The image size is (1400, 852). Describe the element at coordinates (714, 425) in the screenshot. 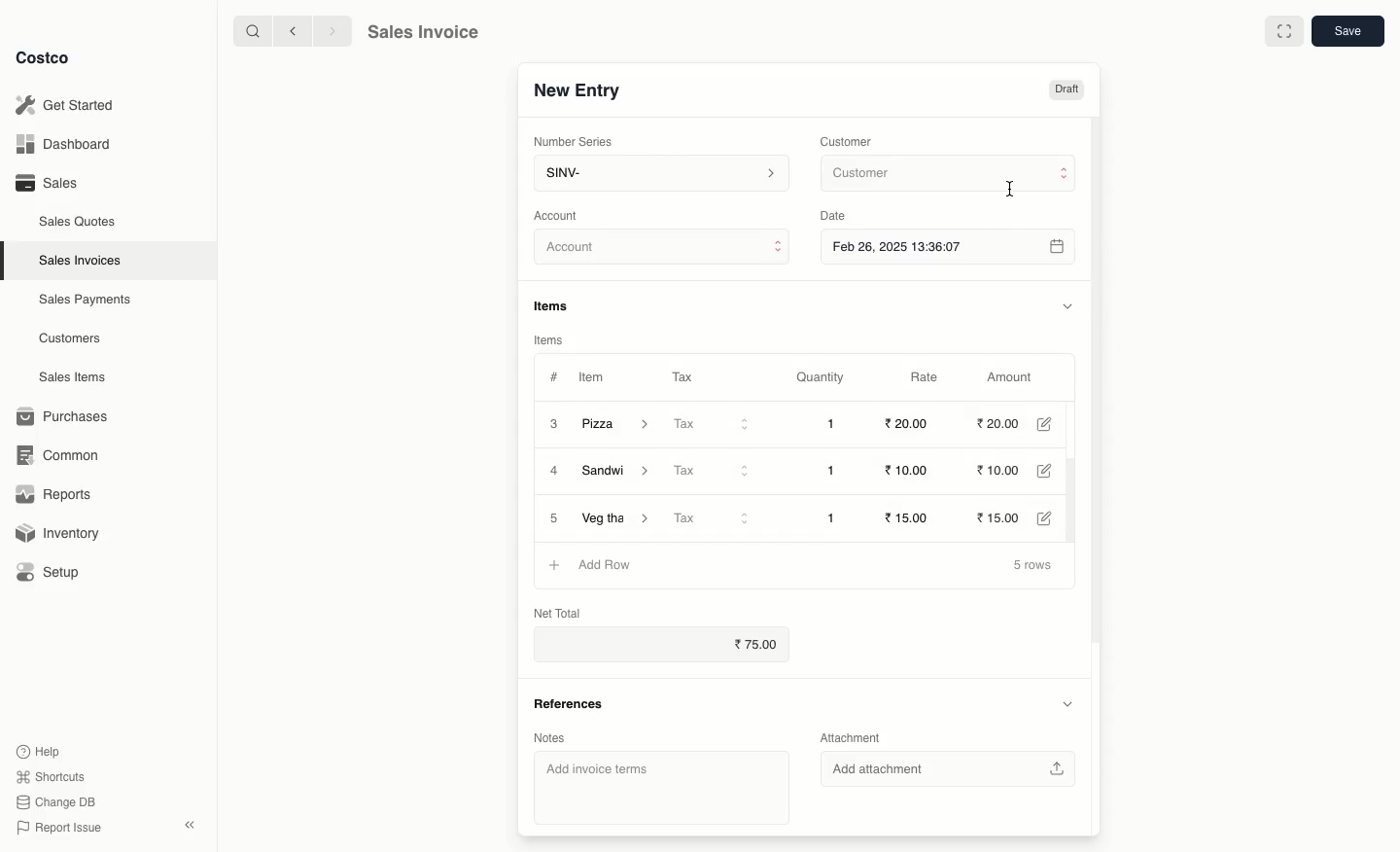

I see `Tax` at that location.